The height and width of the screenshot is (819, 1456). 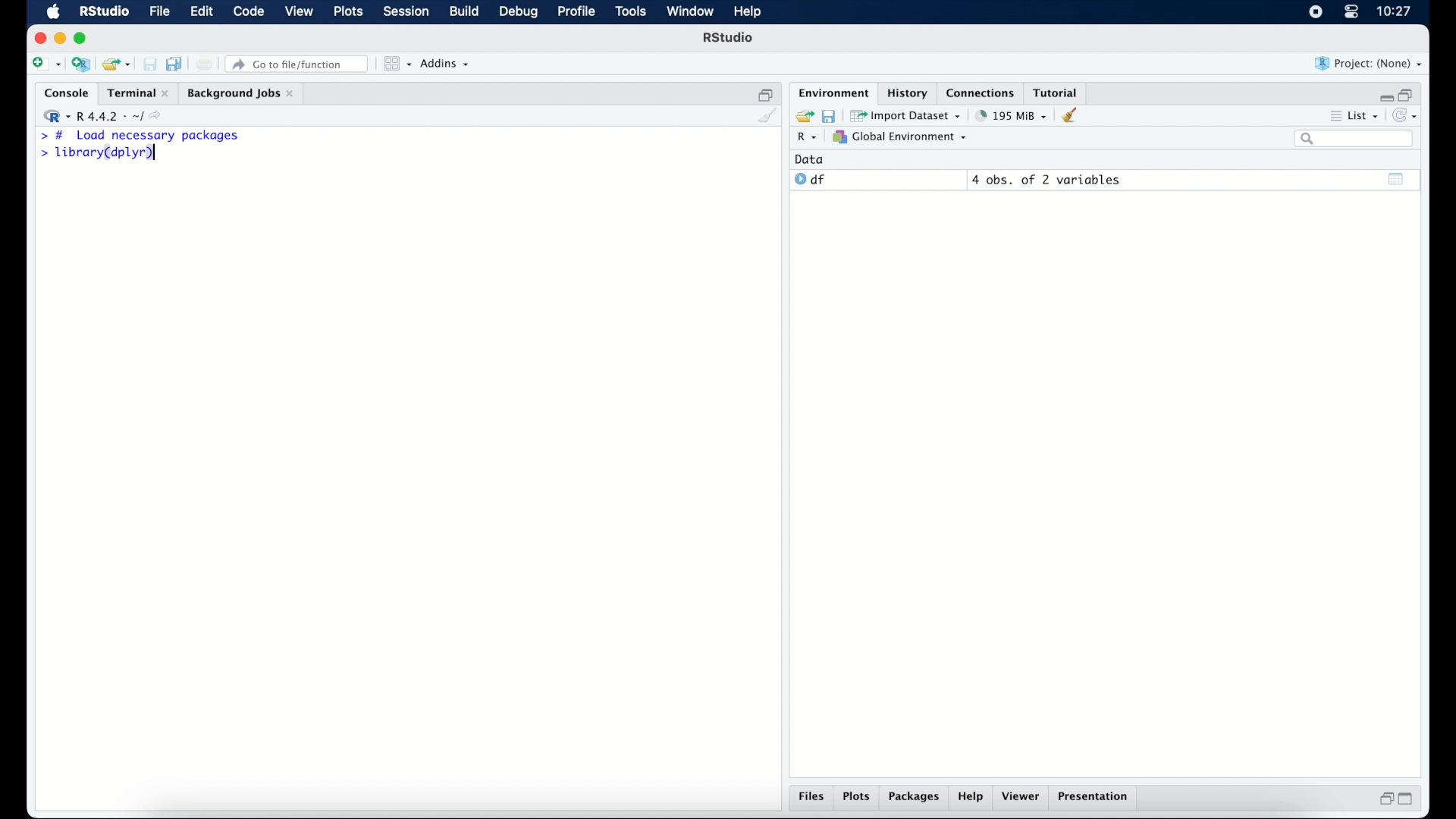 I want to click on R Studio, so click(x=104, y=12).